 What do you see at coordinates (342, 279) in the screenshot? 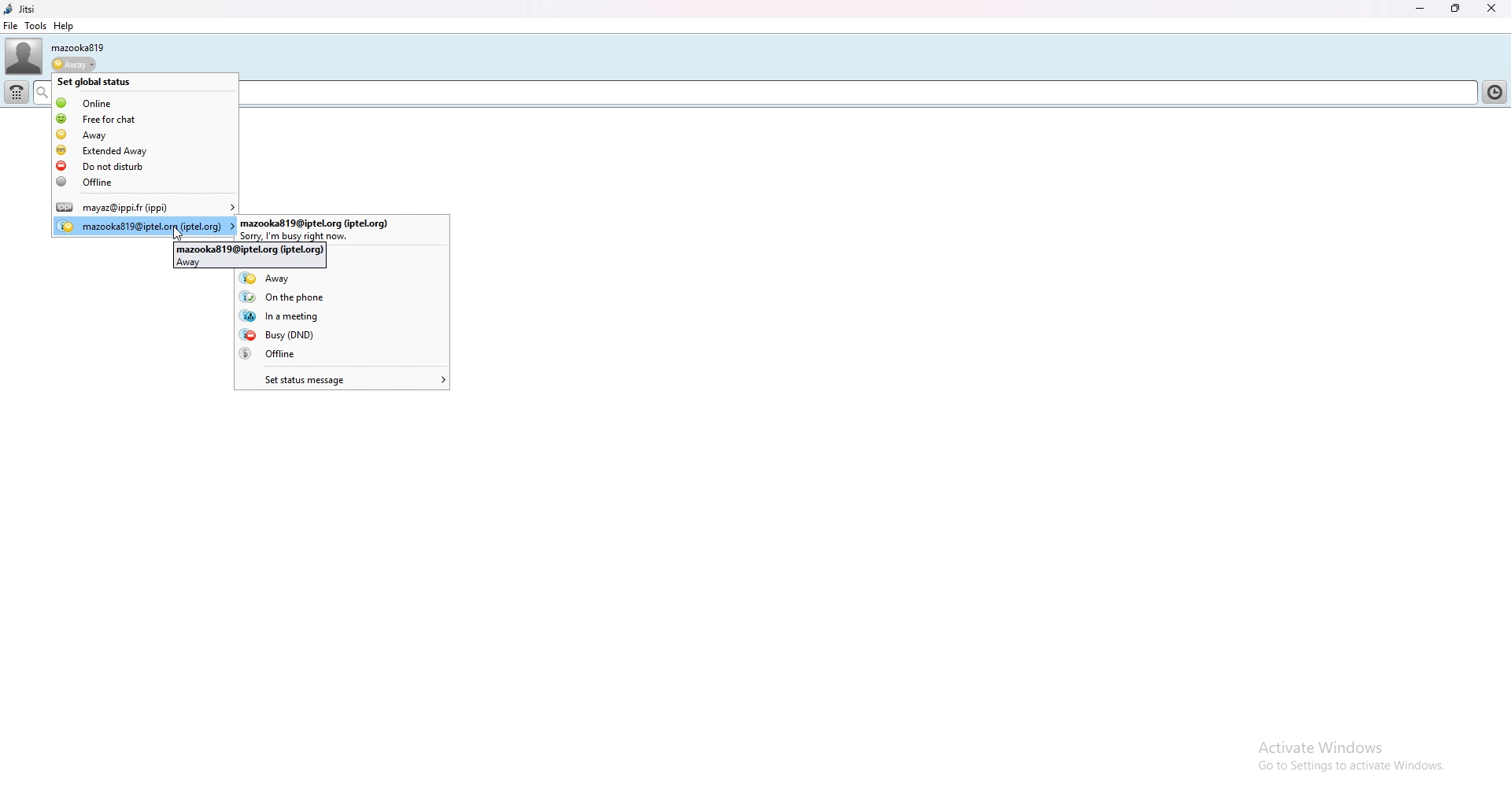
I see `away` at bounding box center [342, 279].